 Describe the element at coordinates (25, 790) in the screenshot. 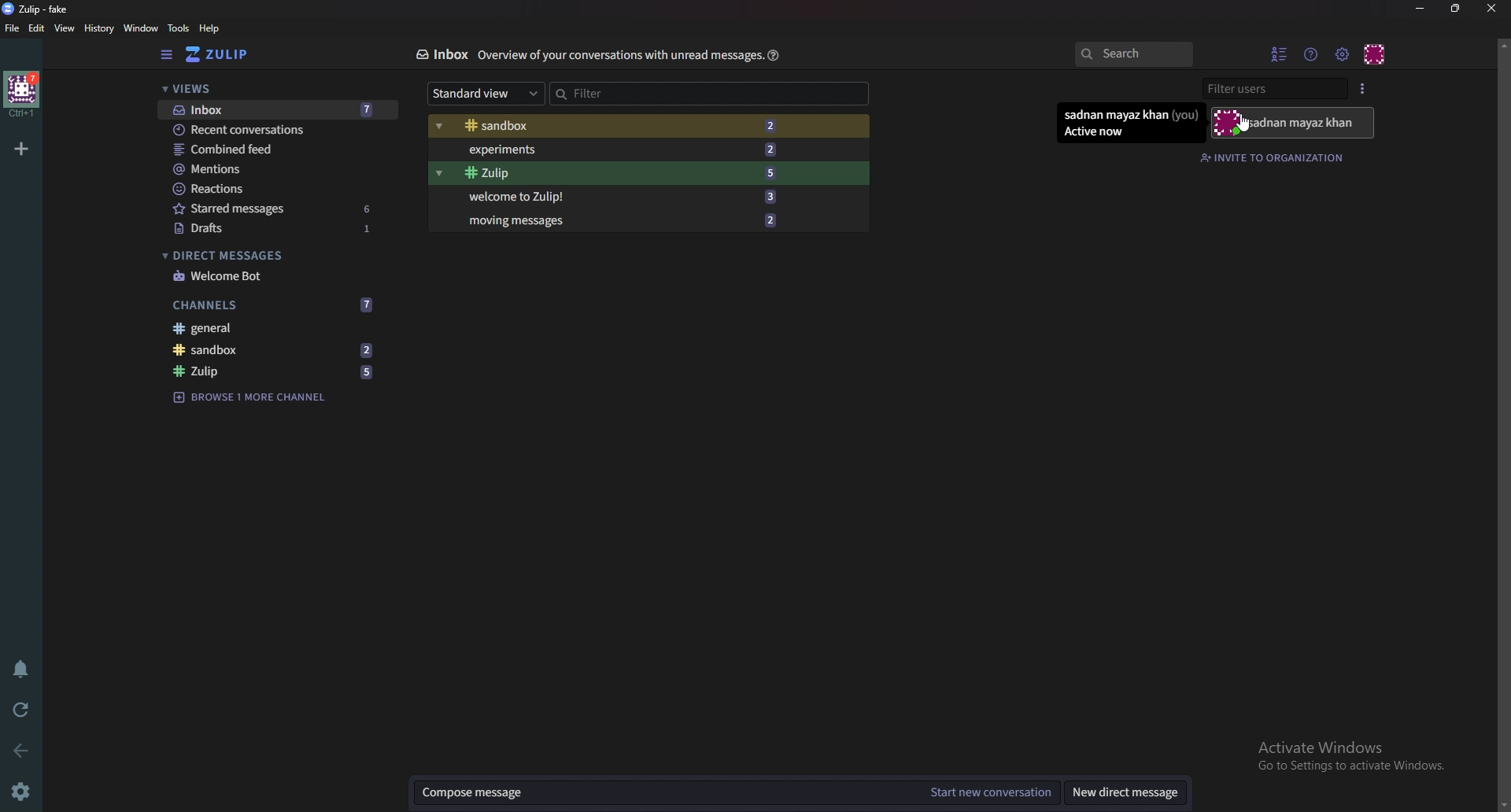

I see `Settings` at that location.